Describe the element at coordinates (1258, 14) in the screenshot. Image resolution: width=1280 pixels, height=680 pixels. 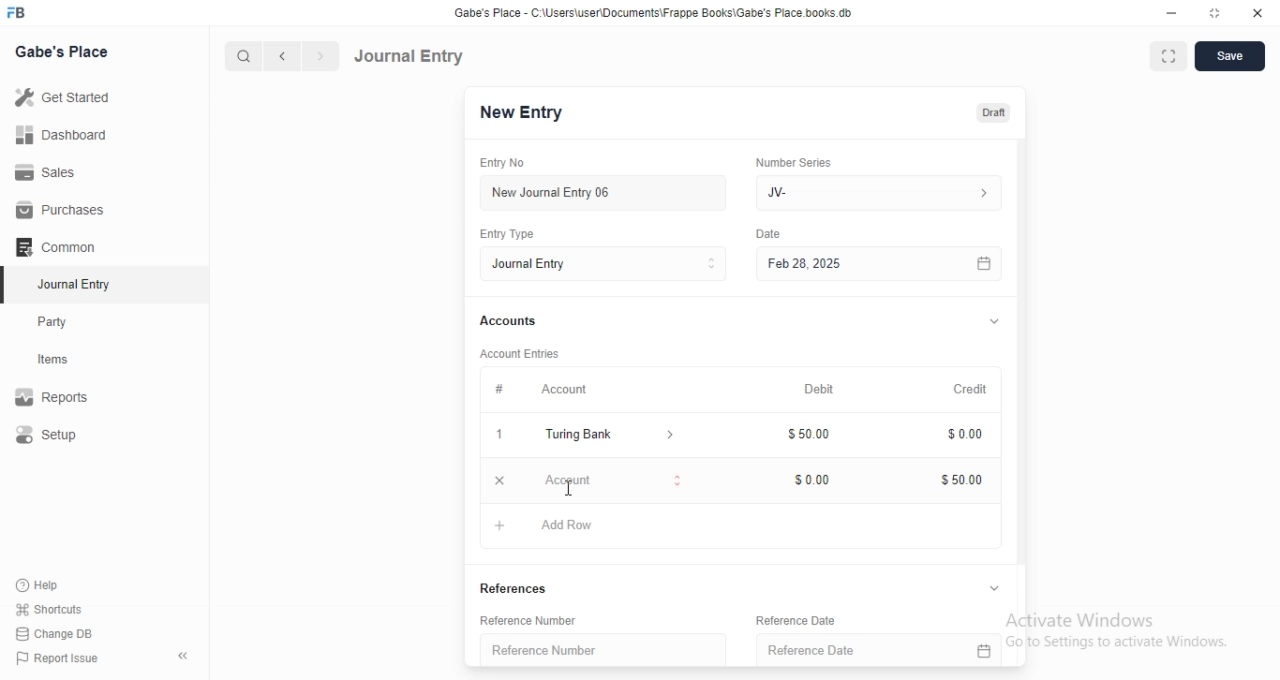
I see `close` at that location.